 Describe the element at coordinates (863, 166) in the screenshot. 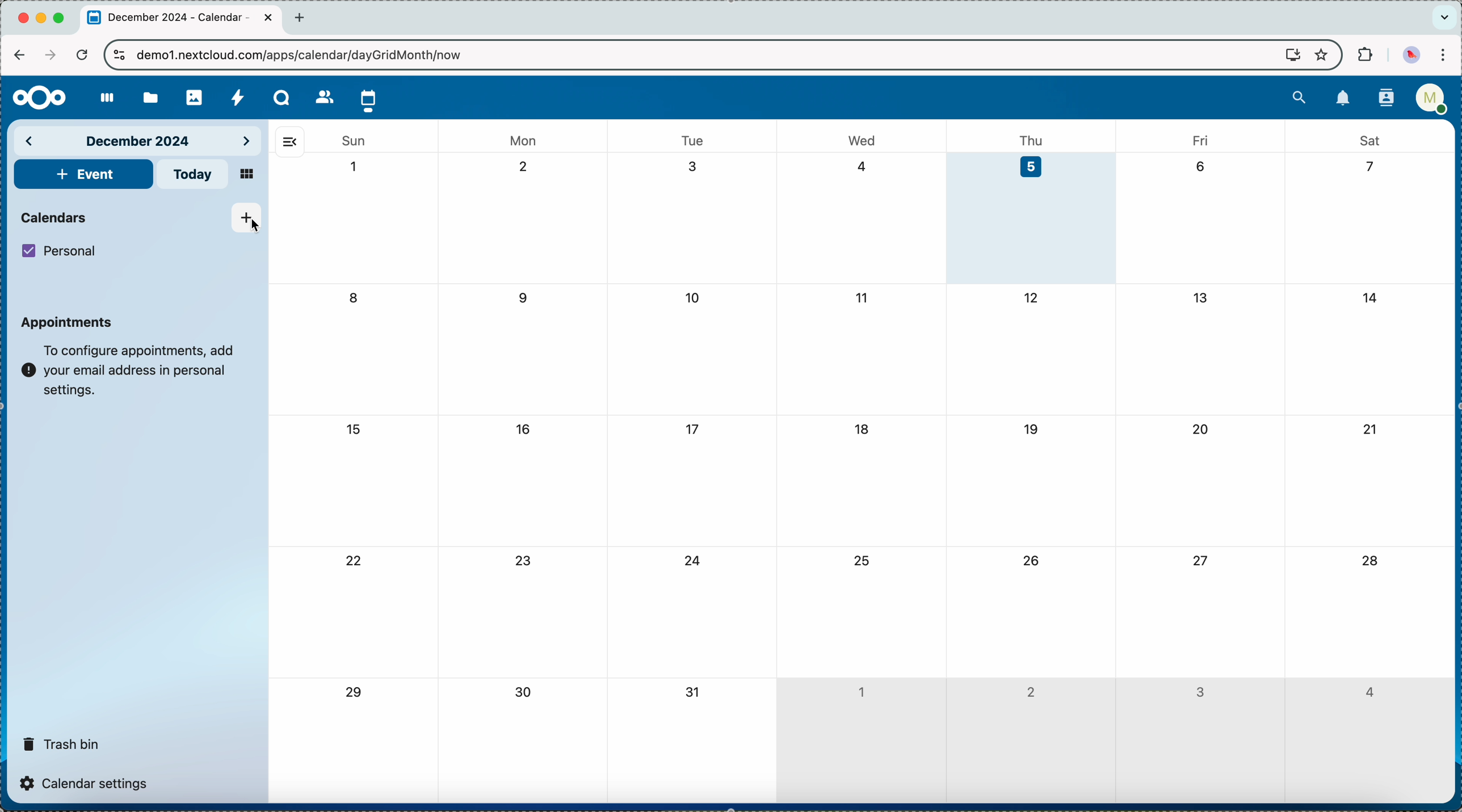

I see `4` at that location.